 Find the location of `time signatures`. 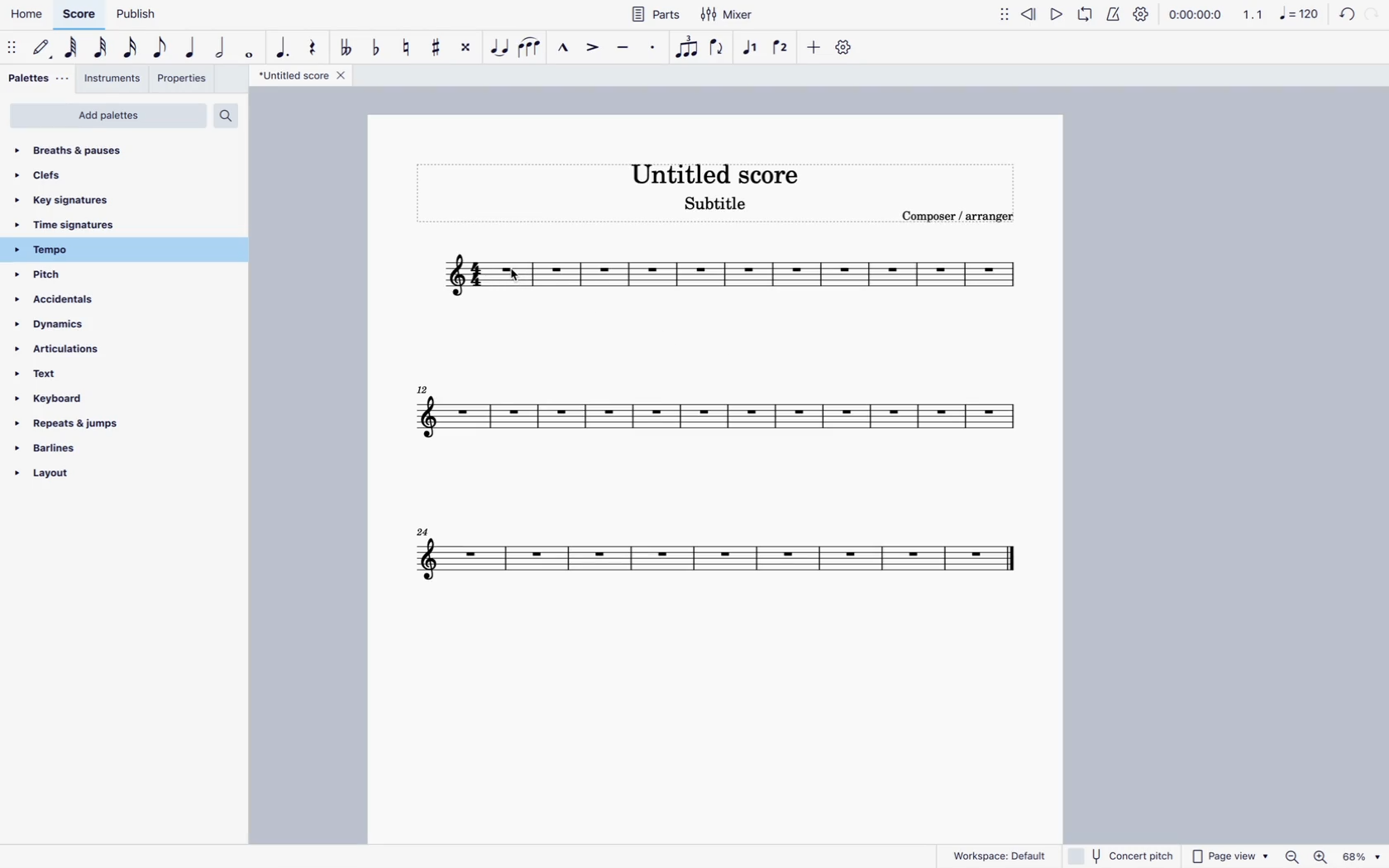

time signatures is located at coordinates (87, 224).